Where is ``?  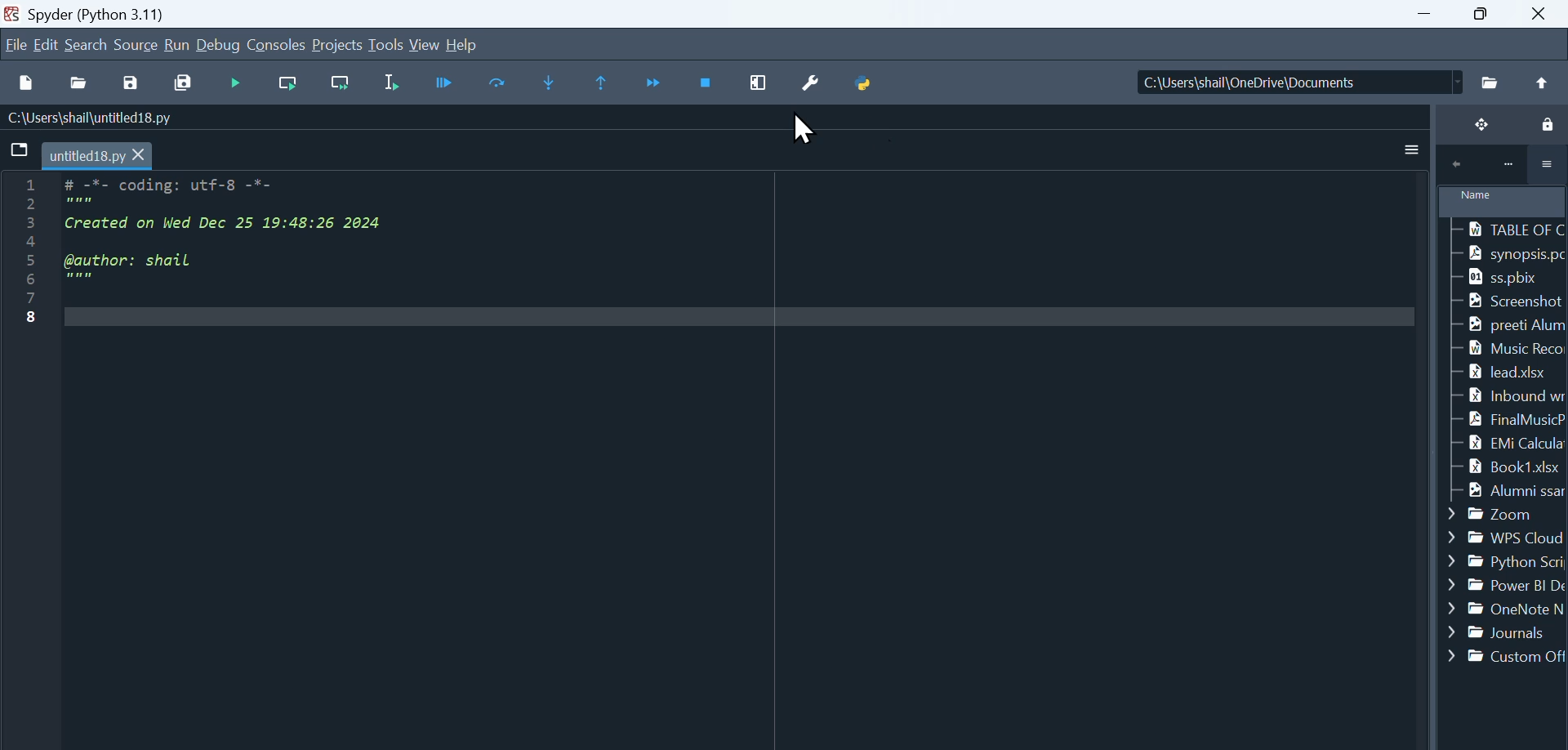  is located at coordinates (137, 43).